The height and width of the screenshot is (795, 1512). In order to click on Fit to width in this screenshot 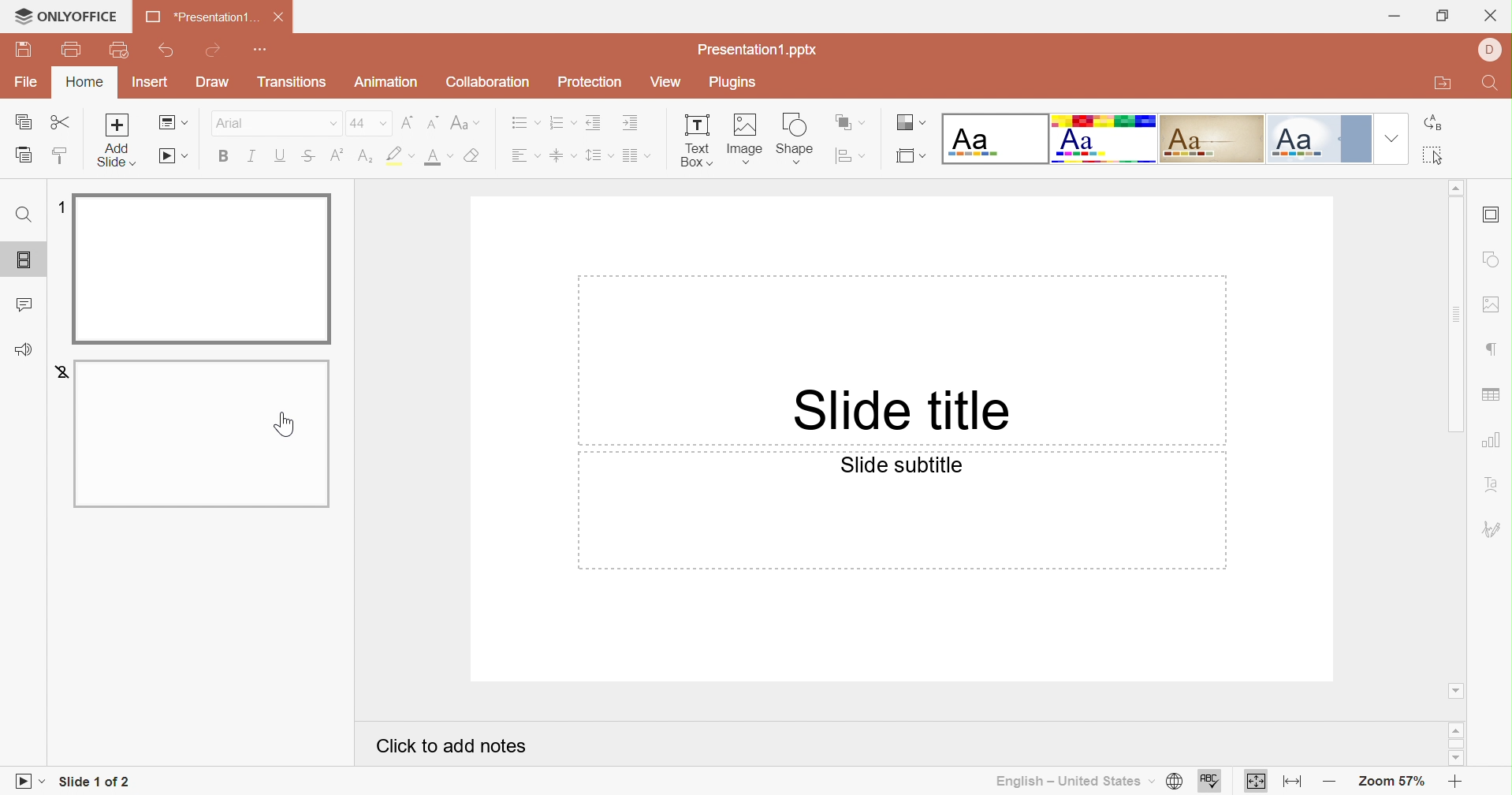, I will do `click(1294, 783)`.